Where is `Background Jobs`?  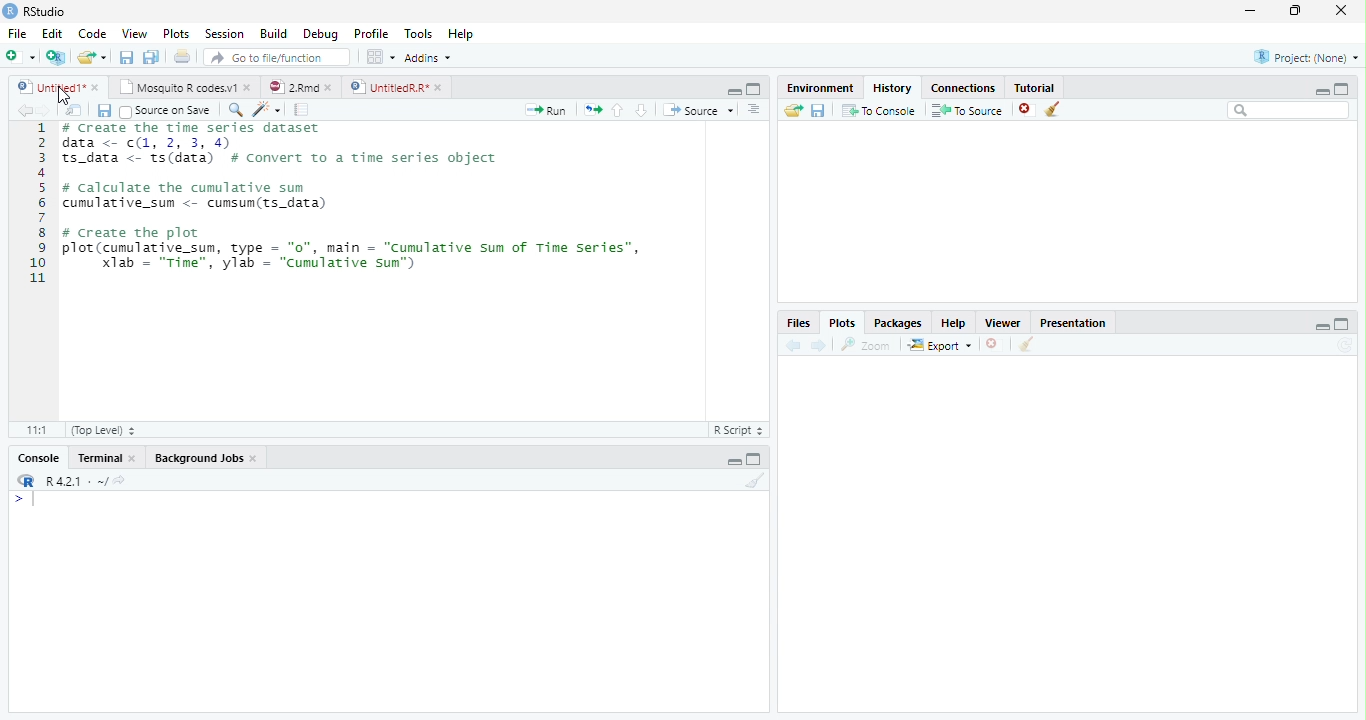 Background Jobs is located at coordinates (207, 457).